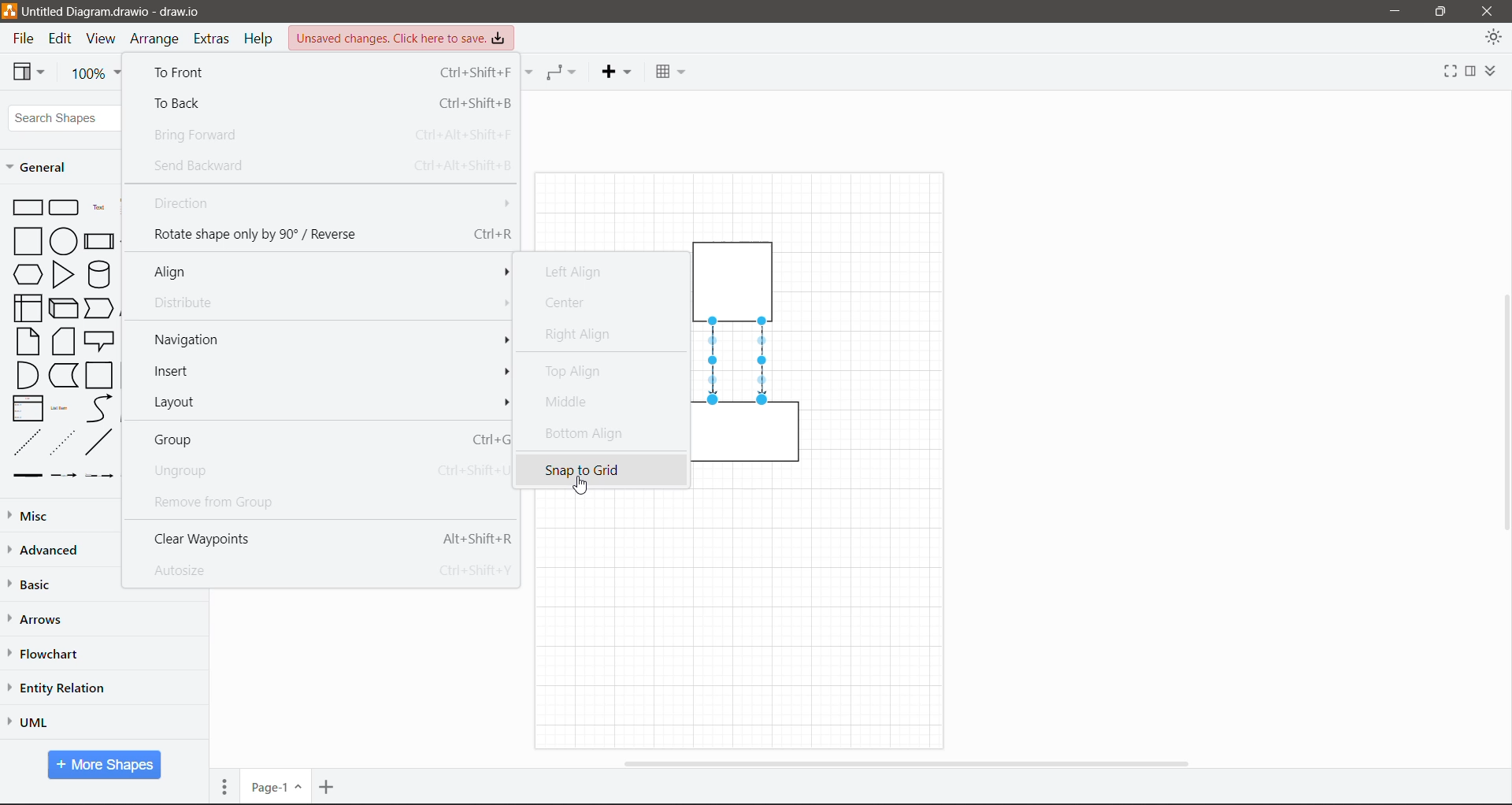 The width and height of the screenshot is (1512, 805). I want to click on Clear Waypoints, so click(332, 538).